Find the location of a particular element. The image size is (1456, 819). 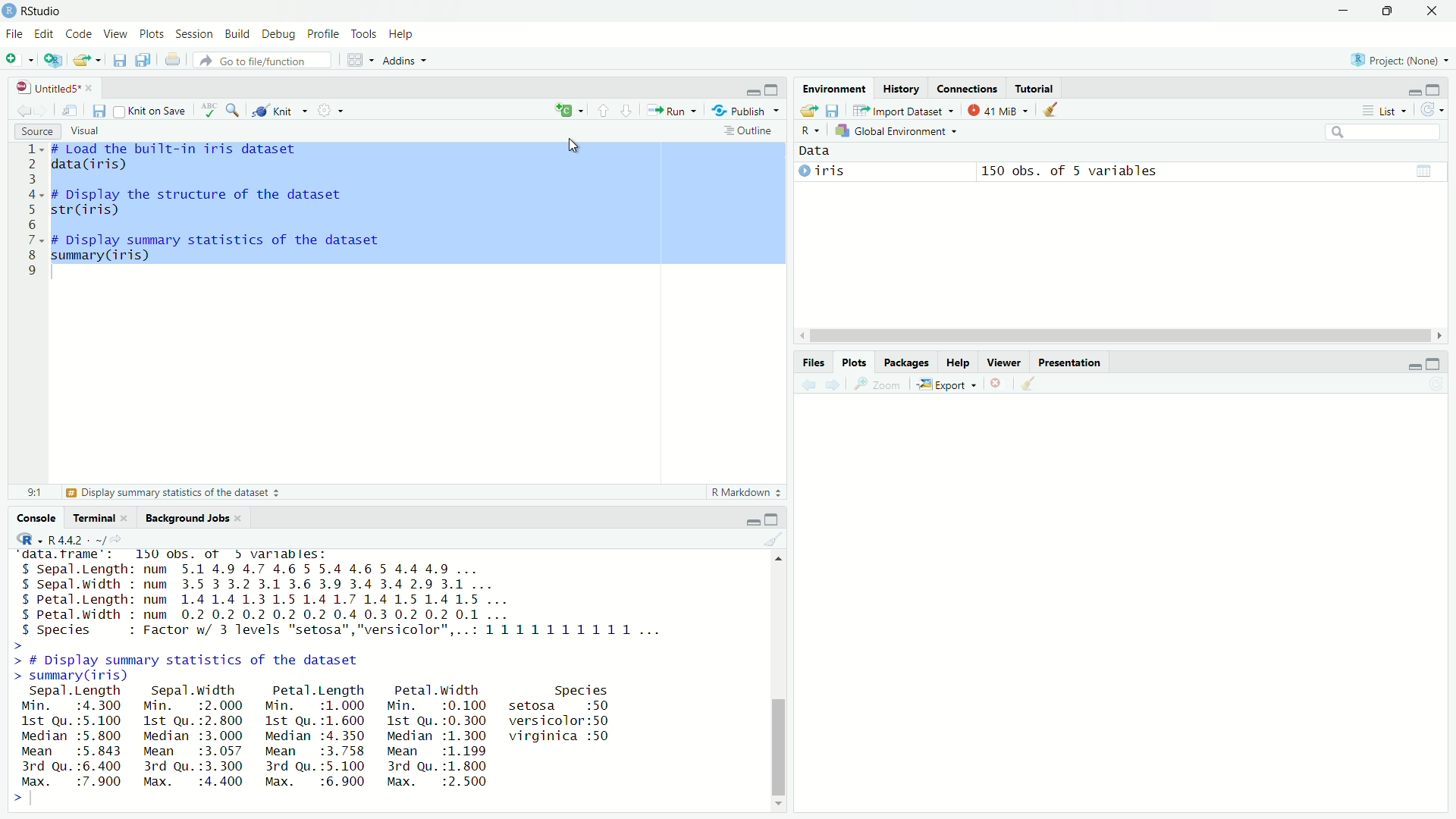

Background Jobs is located at coordinates (194, 519).